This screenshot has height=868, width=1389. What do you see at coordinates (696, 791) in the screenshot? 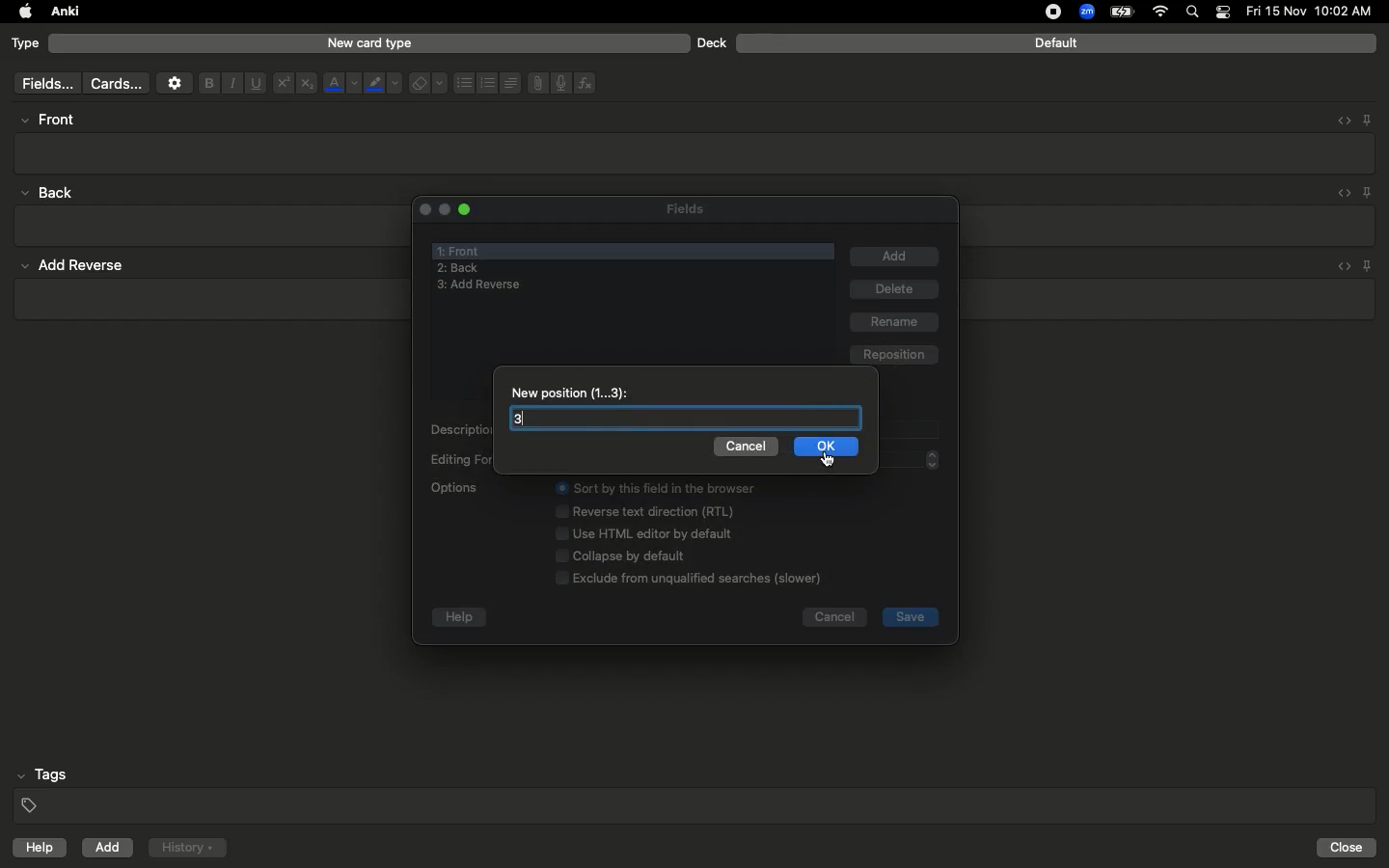
I see `Tags` at bounding box center [696, 791].